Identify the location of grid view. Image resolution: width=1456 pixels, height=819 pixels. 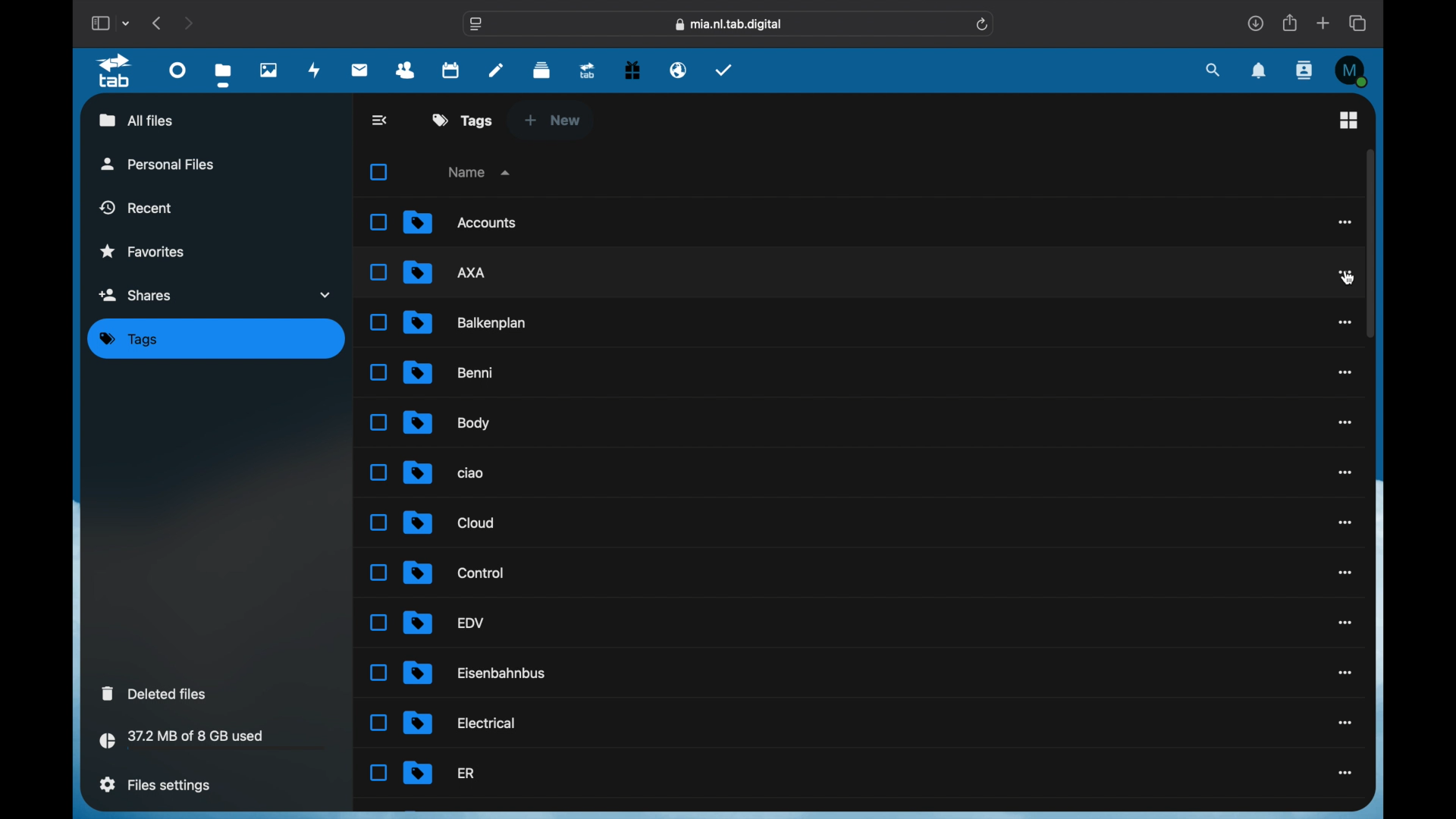
(1348, 120).